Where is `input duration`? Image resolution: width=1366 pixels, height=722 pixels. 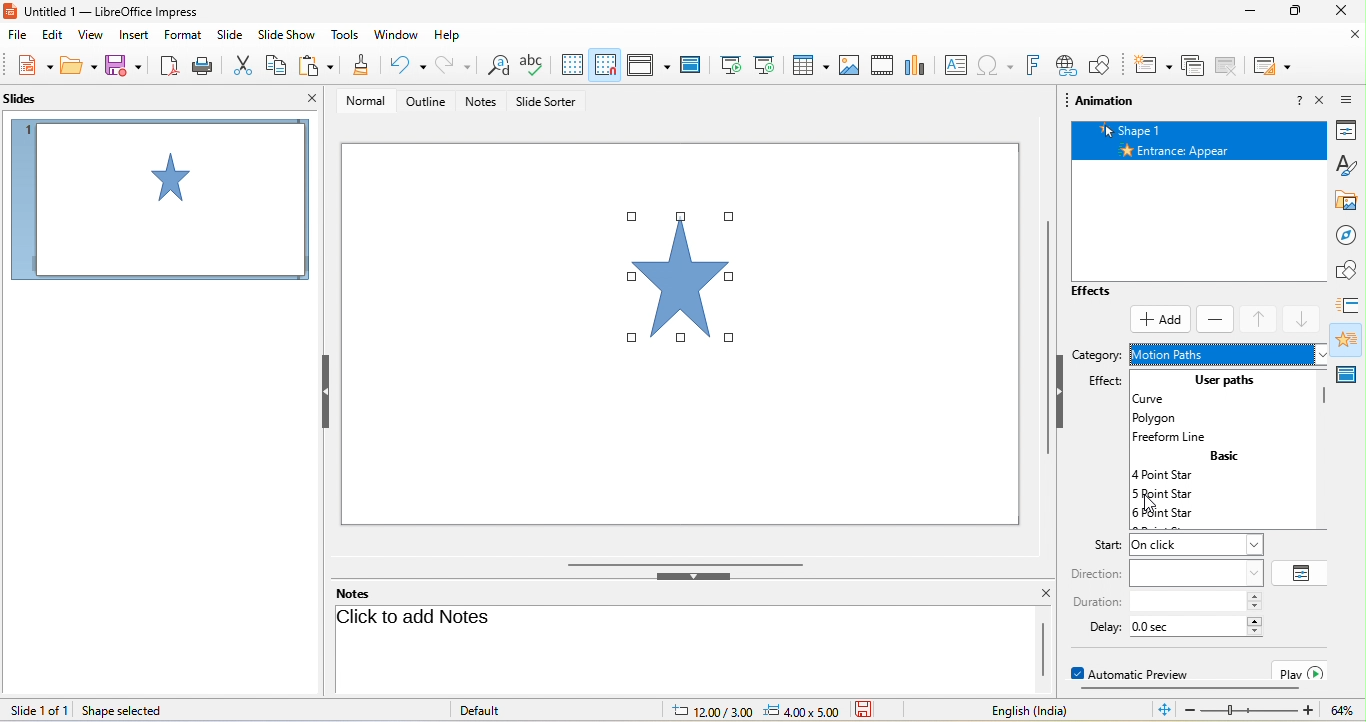
input duration is located at coordinates (1187, 602).